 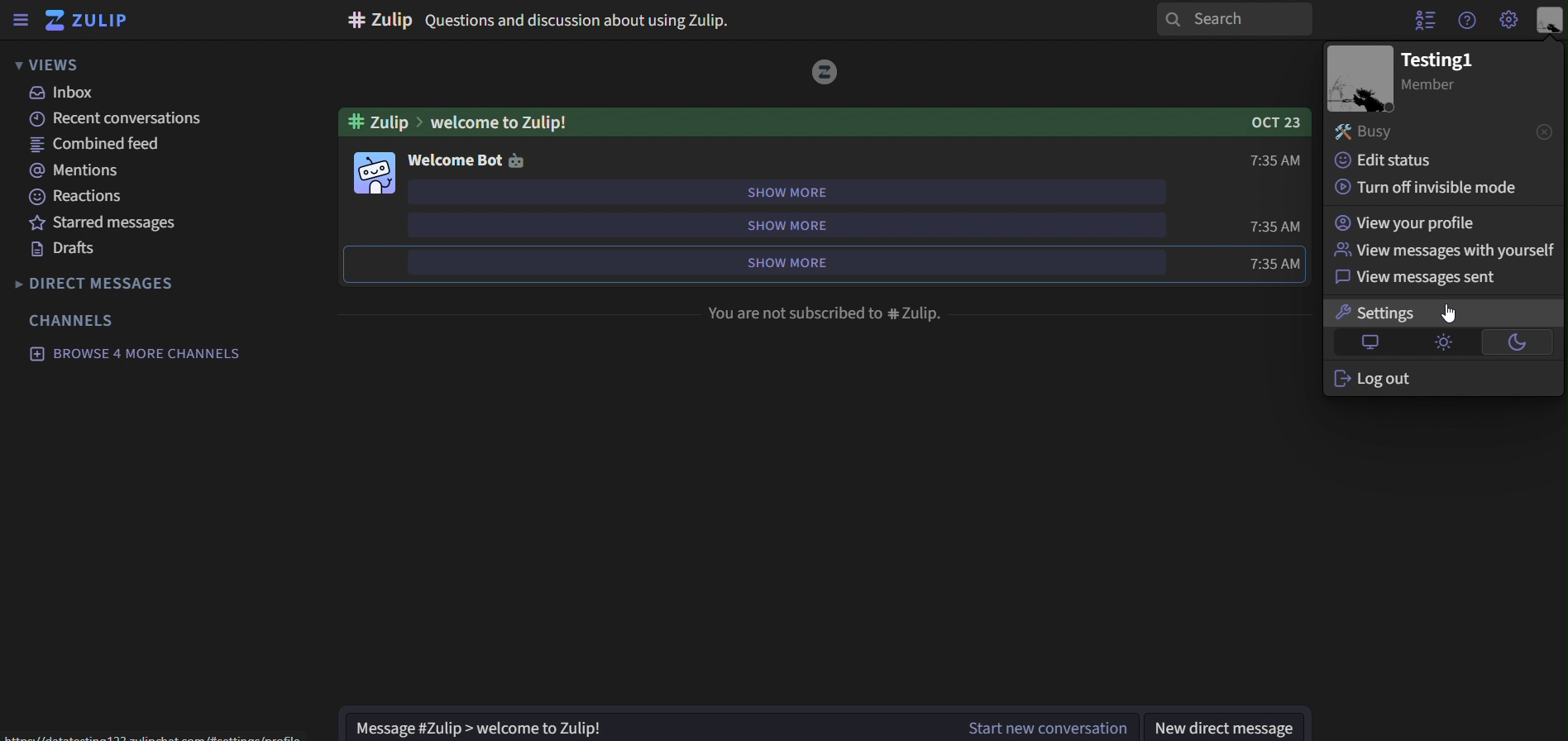 What do you see at coordinates (1421, 189) in the screenshot?
I see `turn off invisible mode` at bounding box center [1421, 189].